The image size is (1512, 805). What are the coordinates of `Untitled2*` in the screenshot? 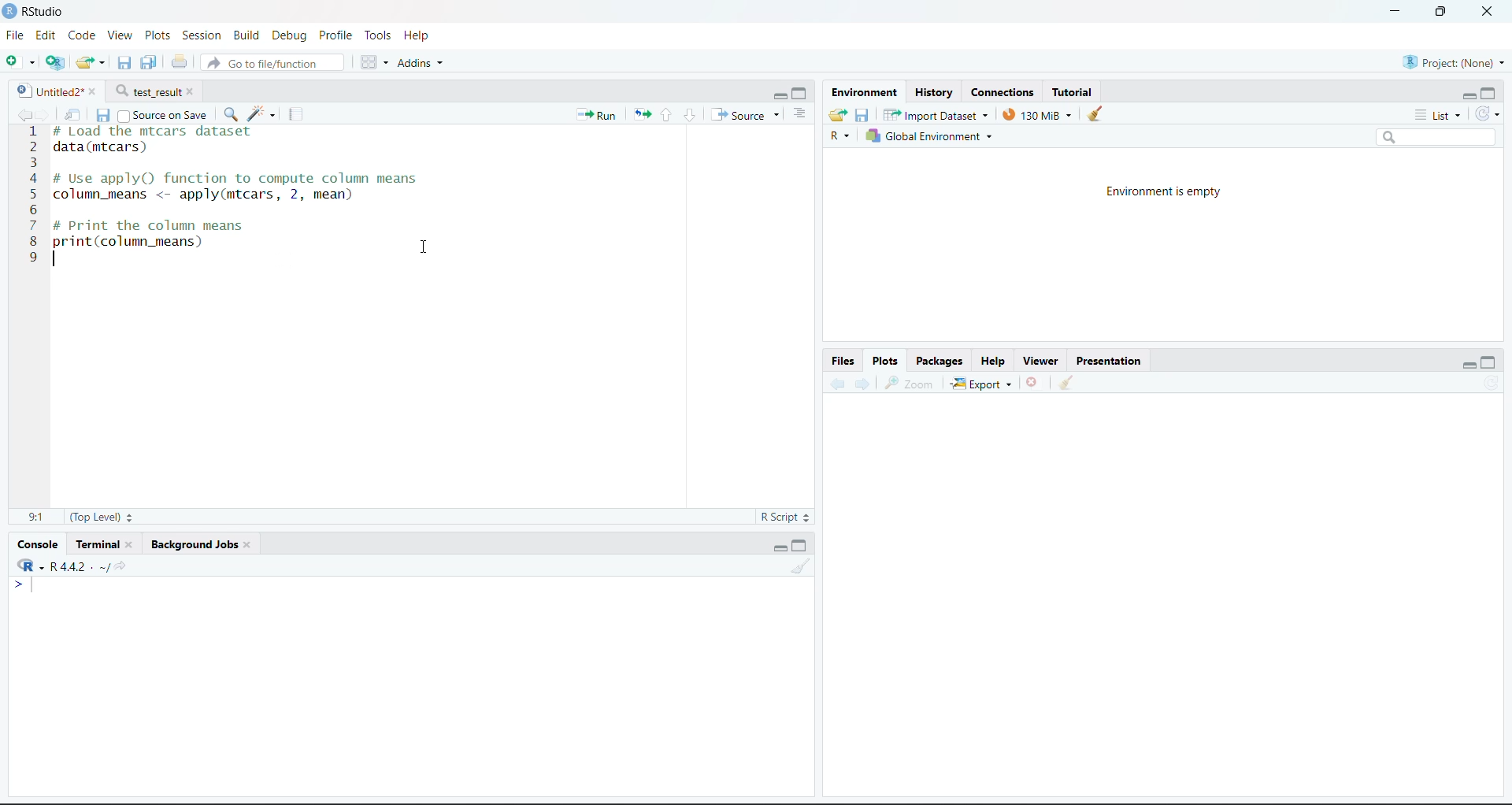 It's located at (61, 88).